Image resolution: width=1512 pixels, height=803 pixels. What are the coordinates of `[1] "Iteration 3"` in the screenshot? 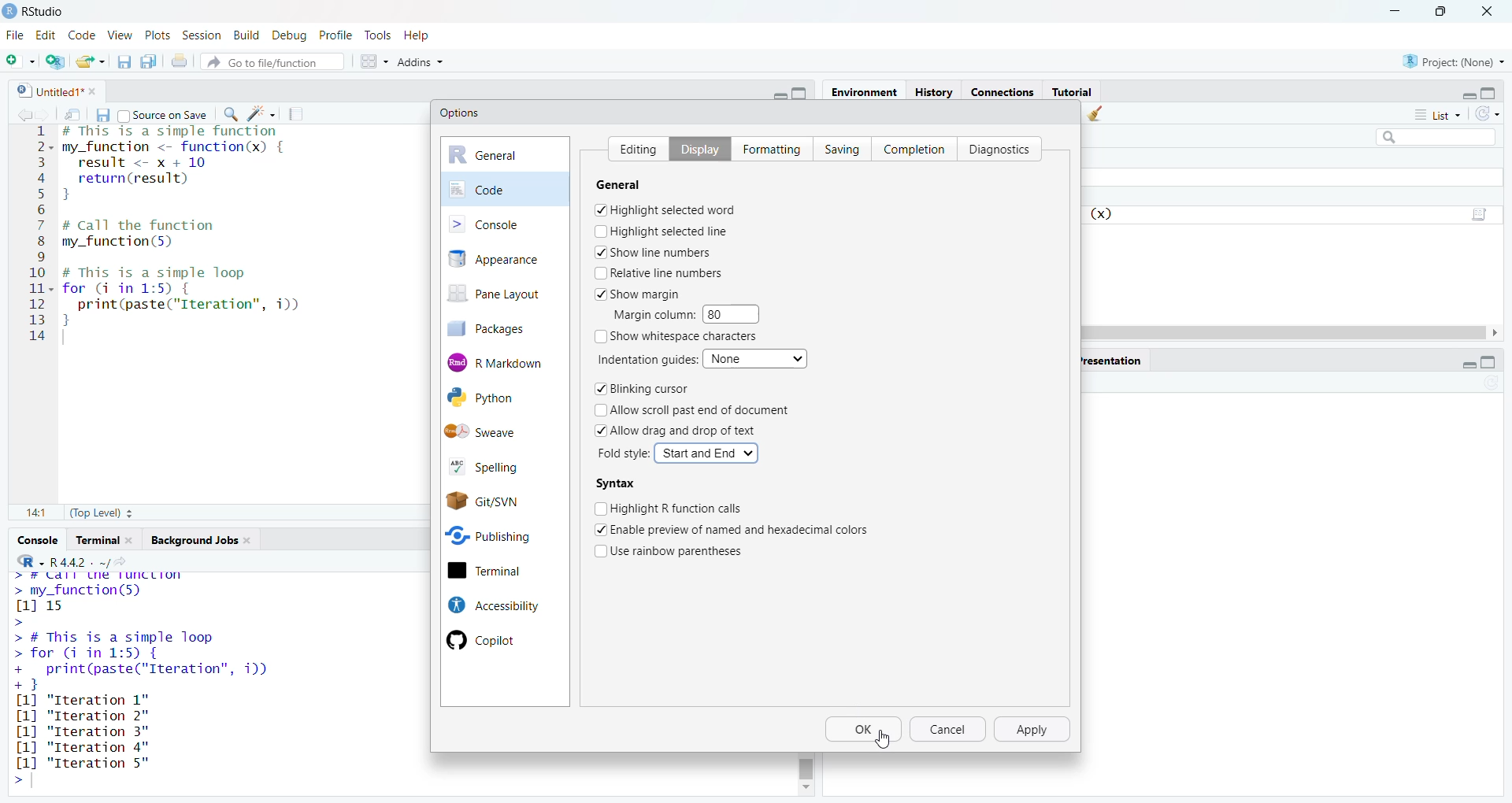 It's located at (81, 732).